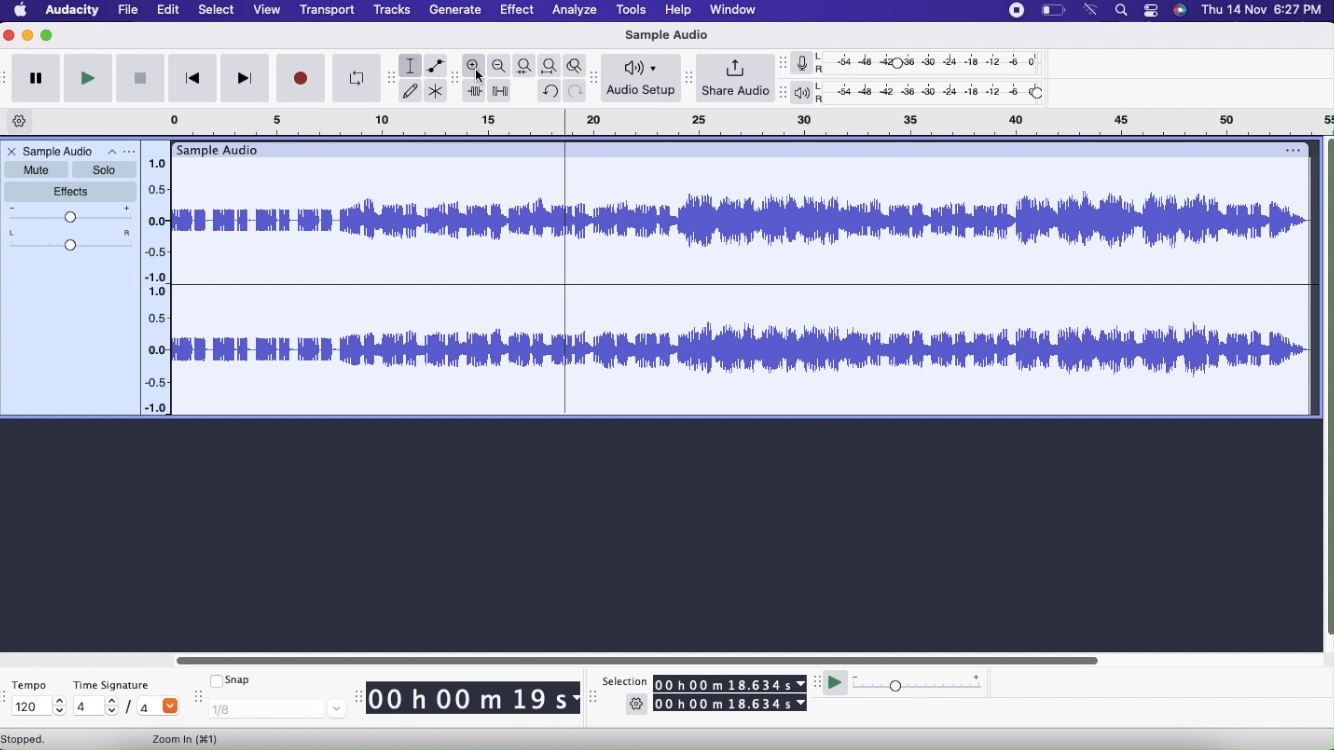  I want to click on Edit, so click(170, 10).